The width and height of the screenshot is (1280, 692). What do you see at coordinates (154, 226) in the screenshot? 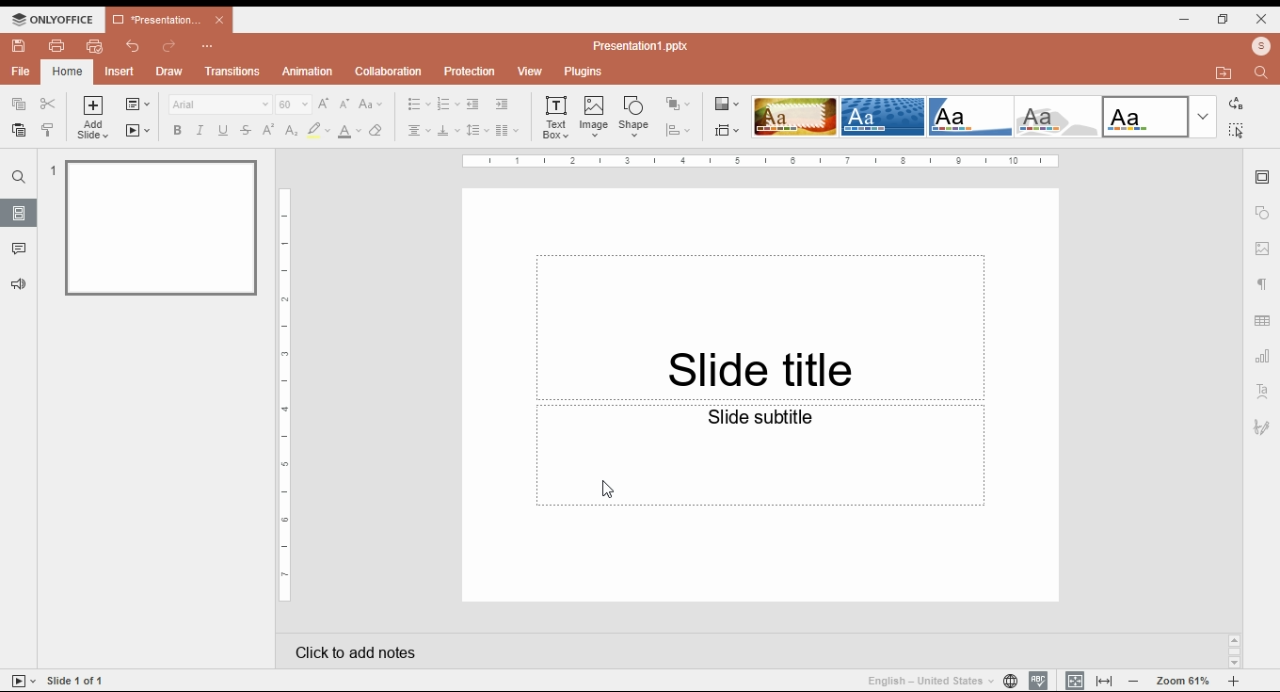
I see `slide 1` at bounding box center [154, 226].